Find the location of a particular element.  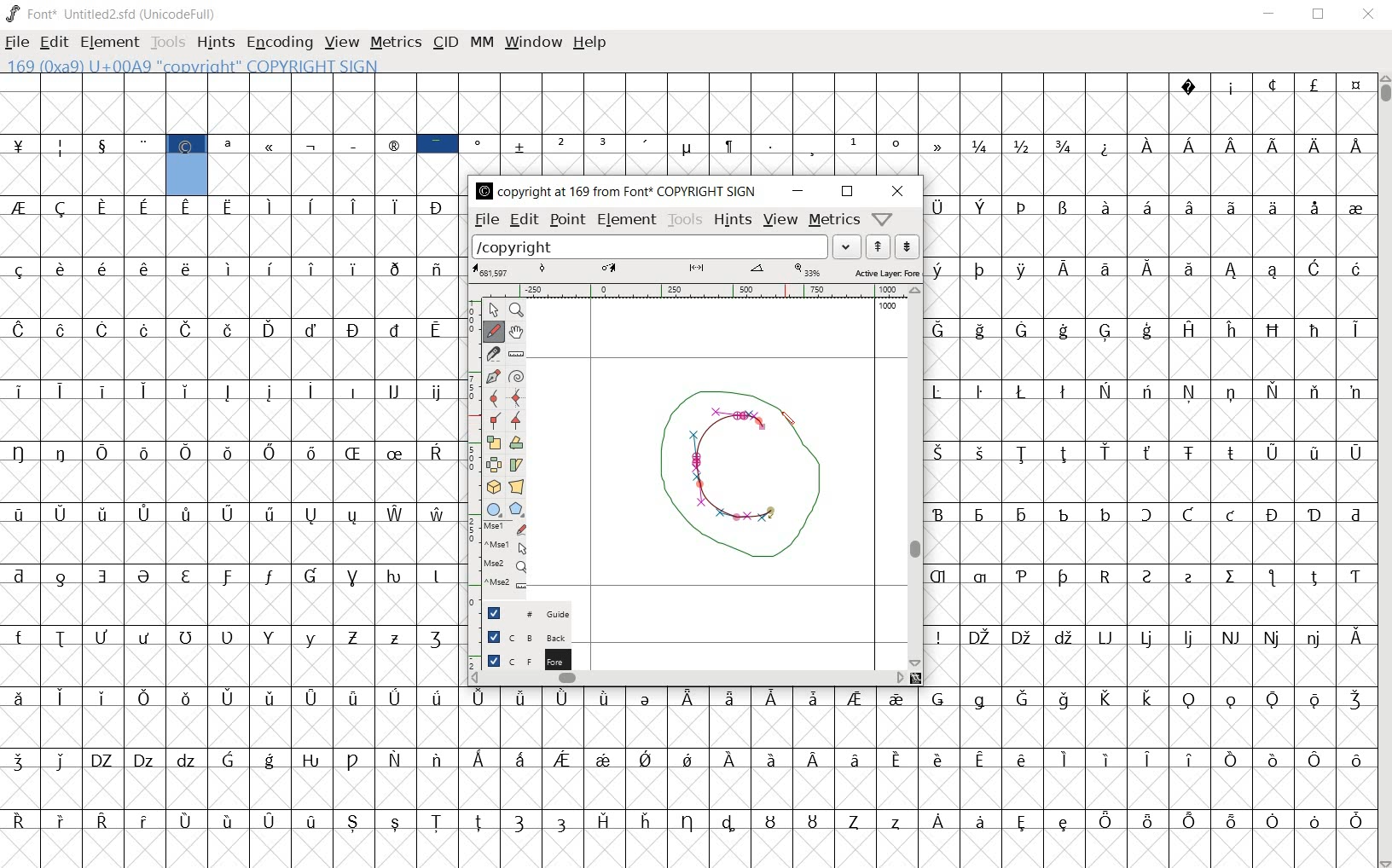

169 (0x9a) U+00A9 "copyright" COPYRIGHT SIGN is located at coordinates (188, 163).